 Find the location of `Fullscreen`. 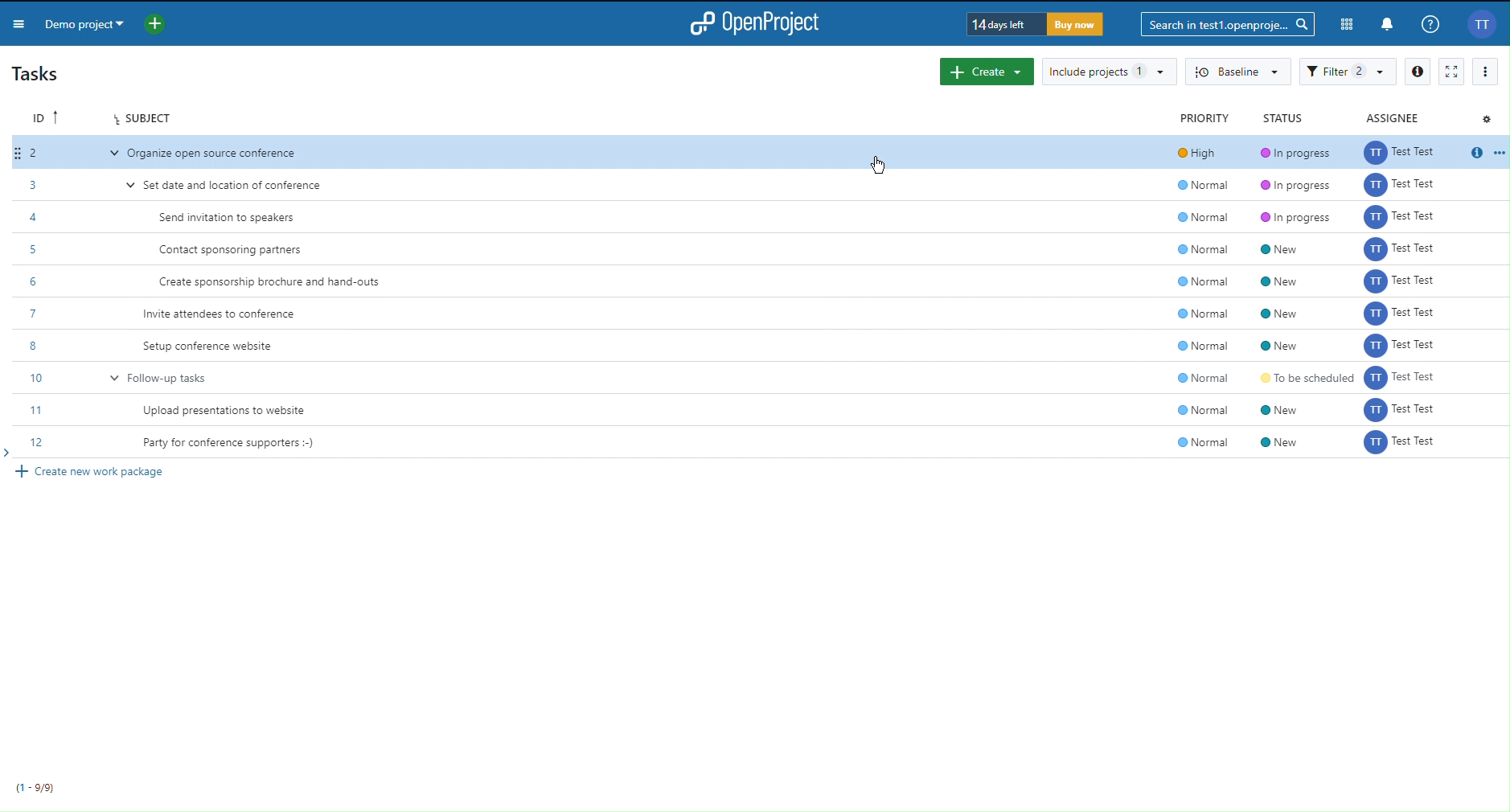

Fullscreen is located at coordinates (1449, 72).